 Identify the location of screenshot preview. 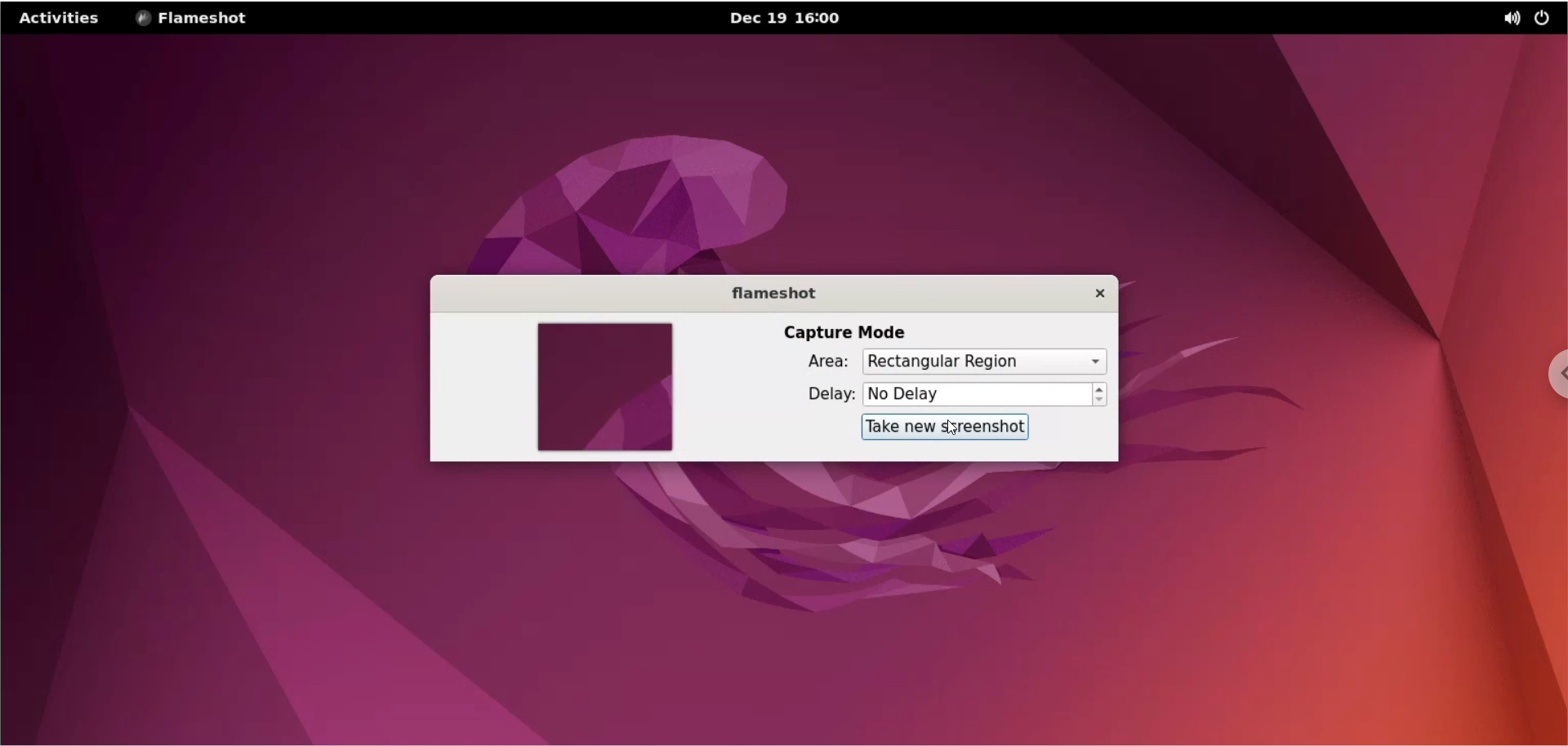
(604, 390).